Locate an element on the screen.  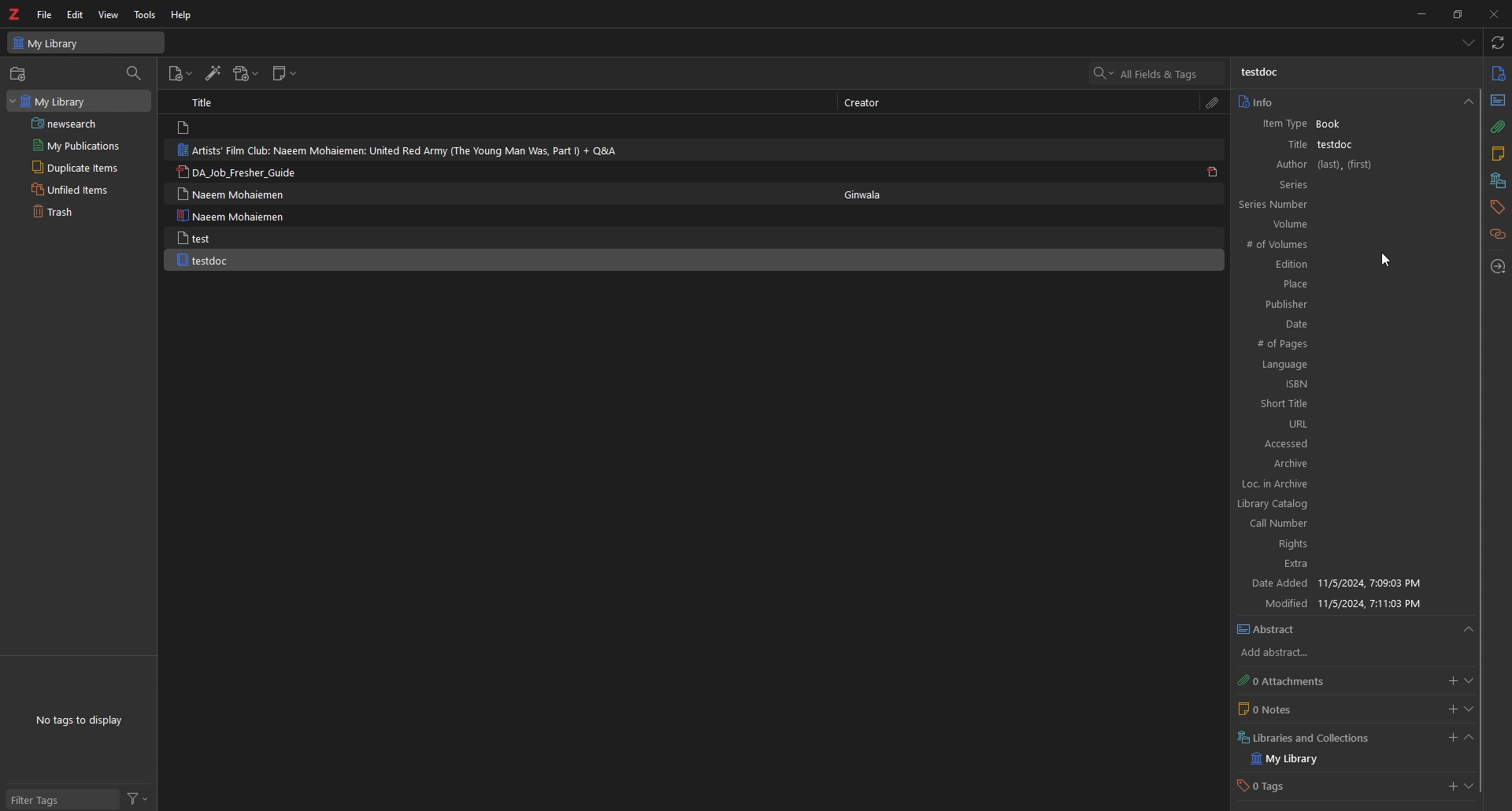
Naeem Mohaiemen is located at coordinates (232, 215).